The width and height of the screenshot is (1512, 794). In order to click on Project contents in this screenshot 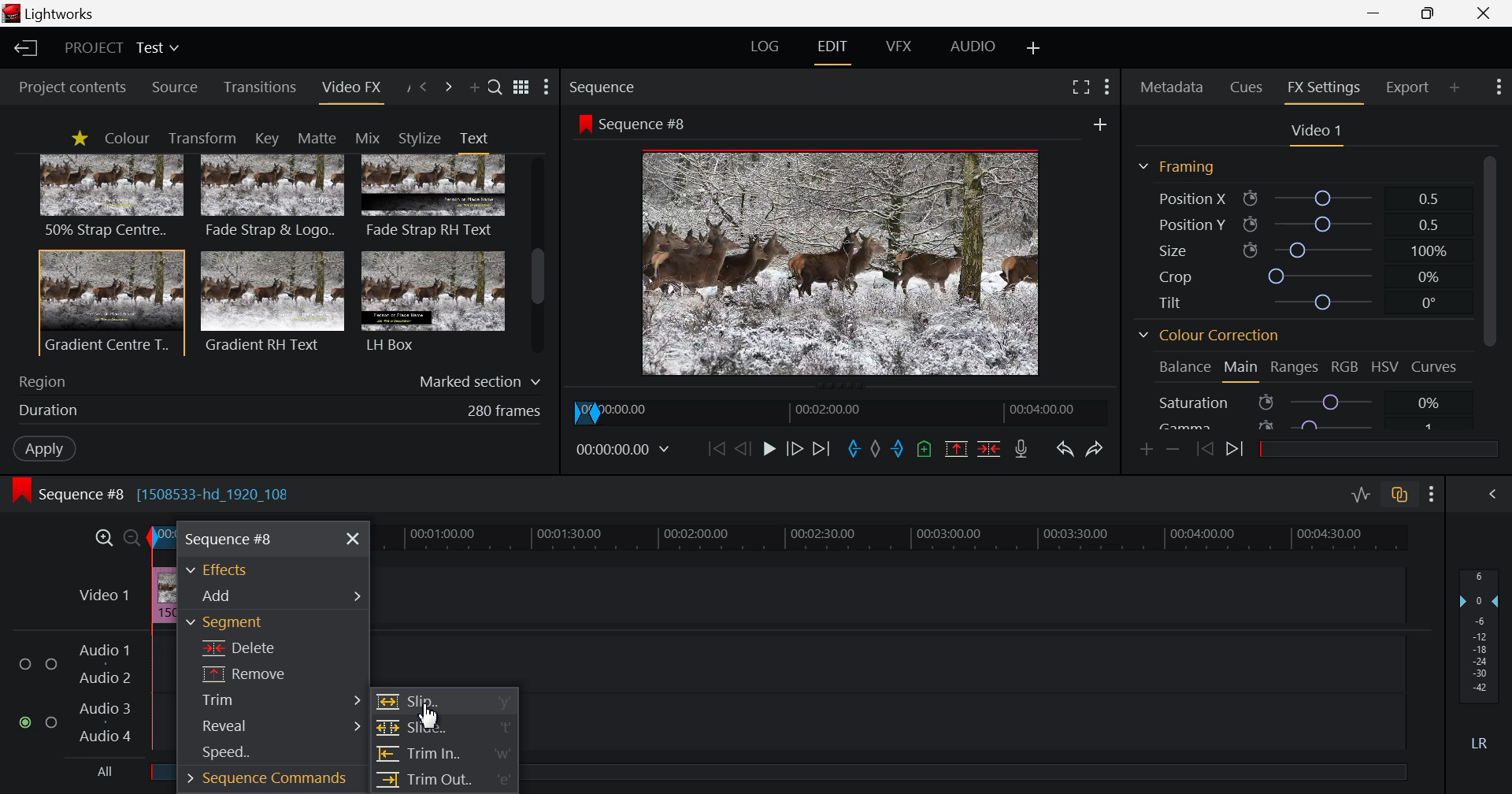, I will do `click(71, 87)`.